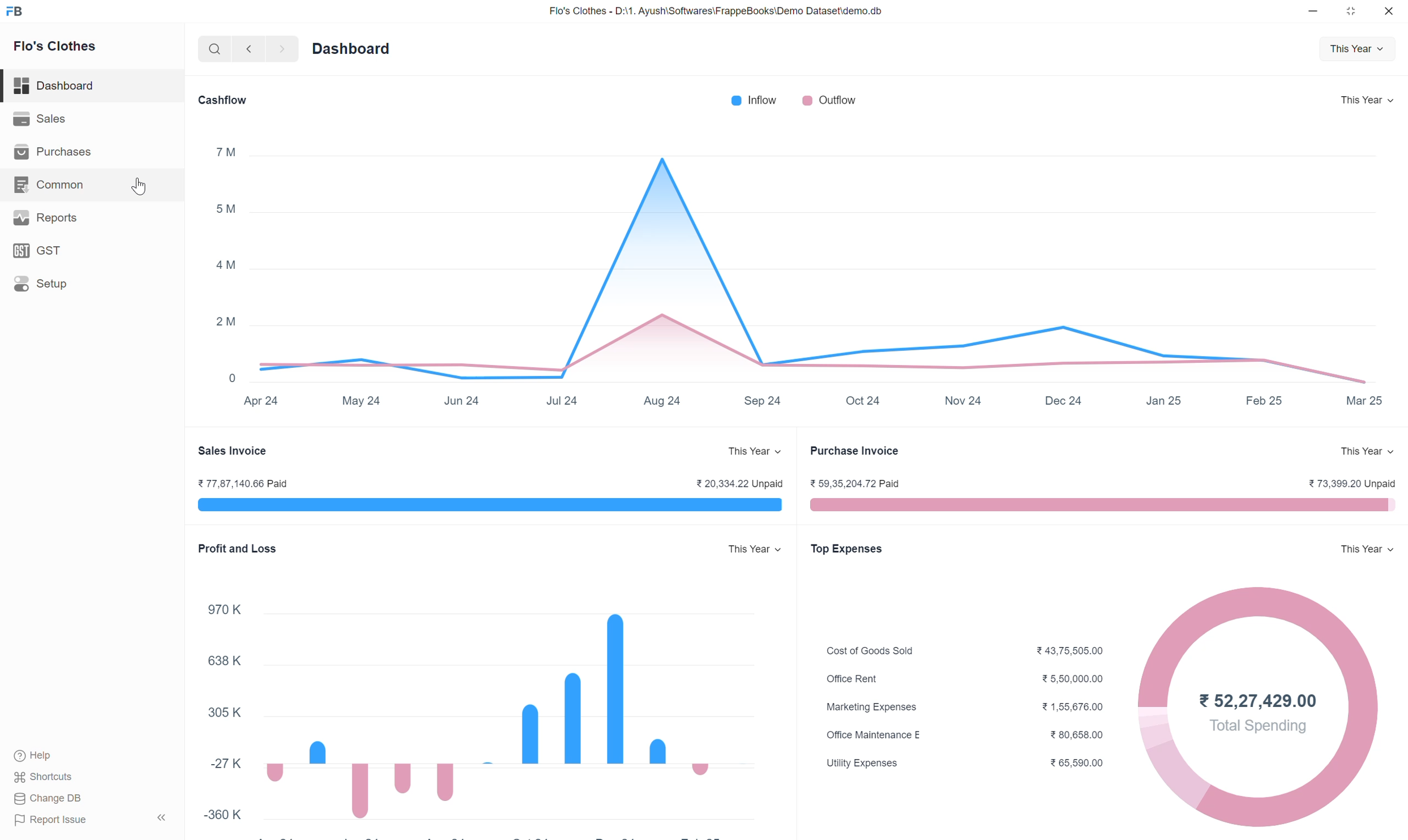 Image resolution: width=1408 pixels, height=840 pixels. I want to click on minimize, so click(1315, 11).